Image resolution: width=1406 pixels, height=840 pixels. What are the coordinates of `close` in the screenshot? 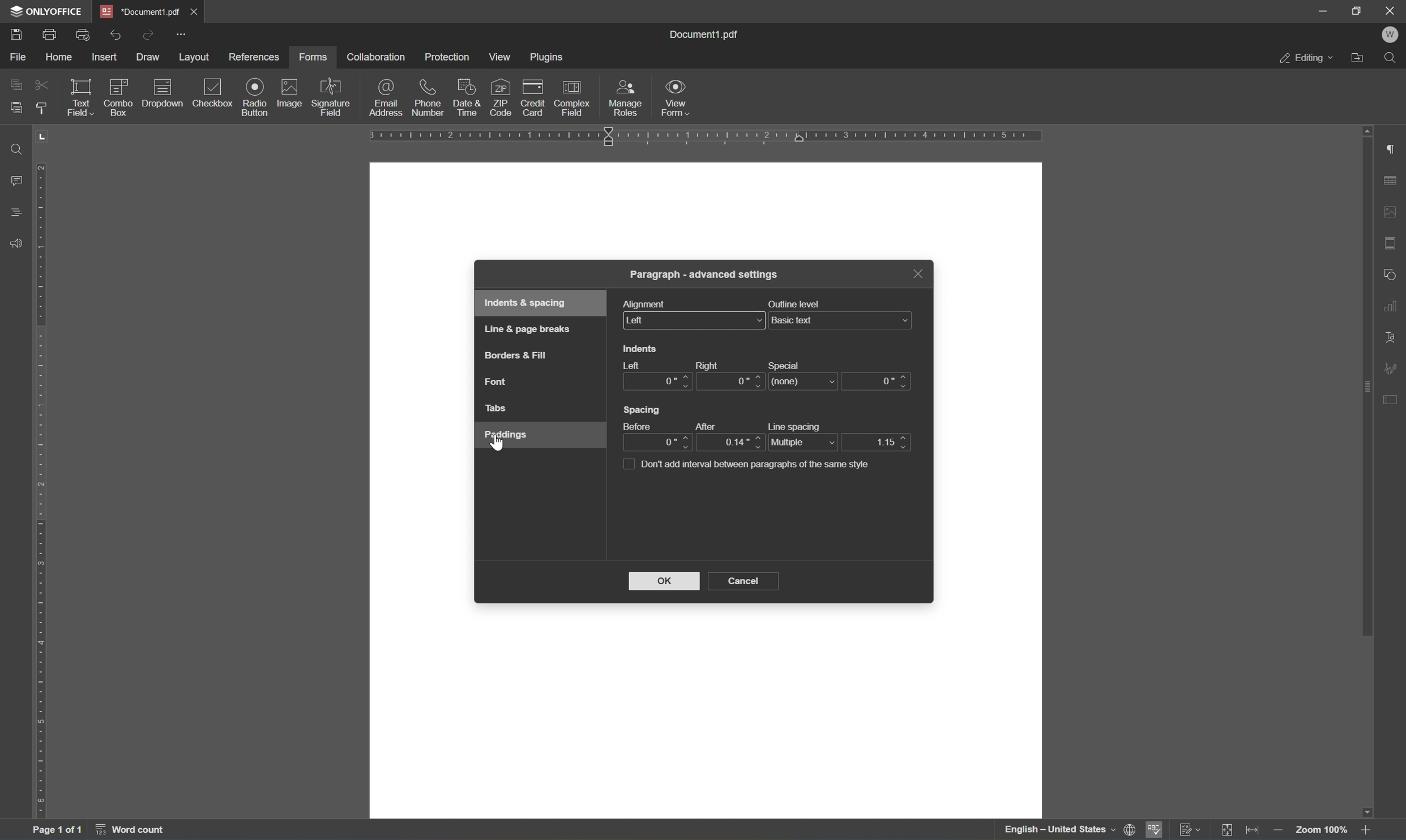 It's located at (1391, 10).